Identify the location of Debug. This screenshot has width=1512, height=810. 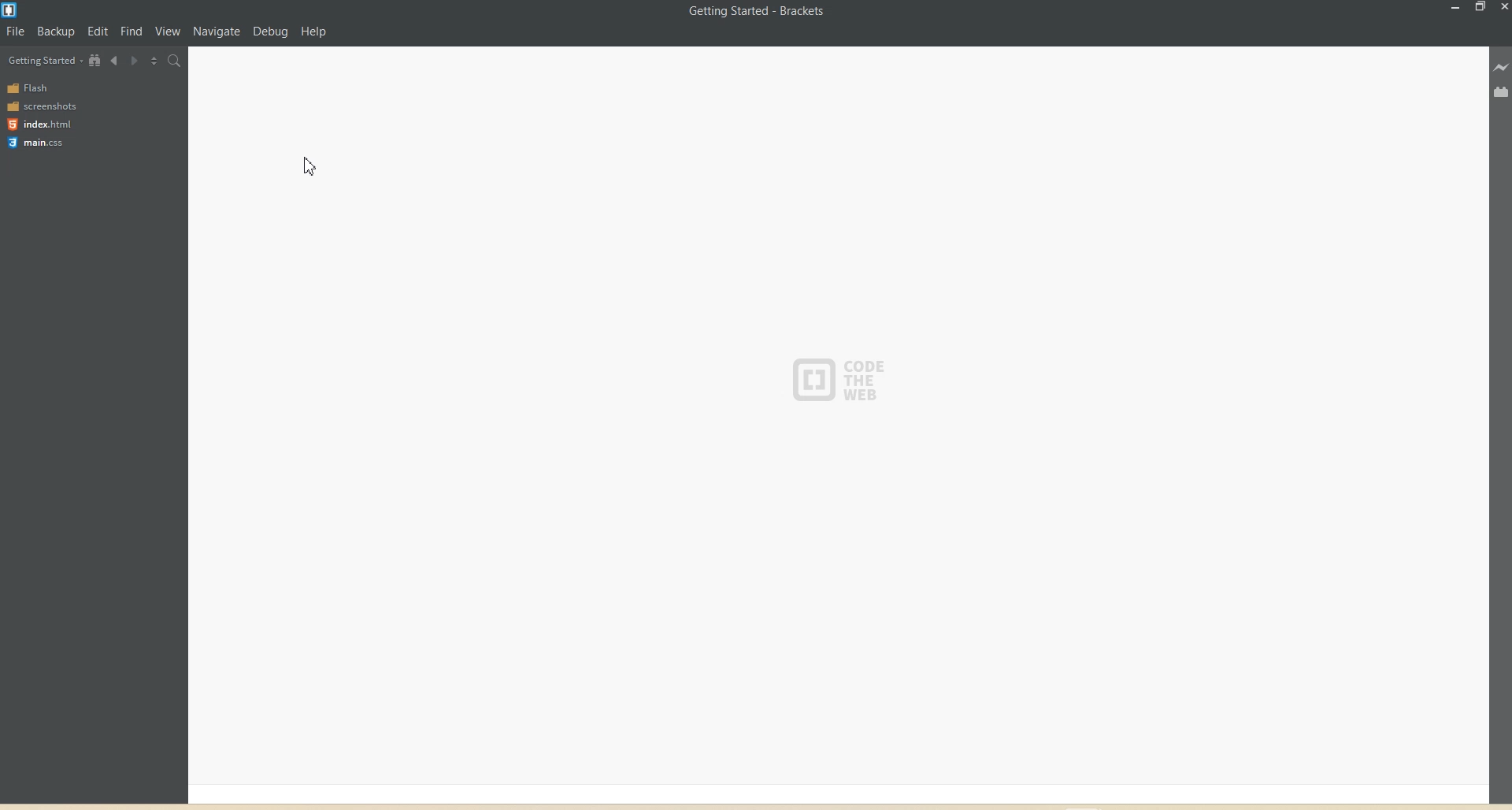
(271, 29).